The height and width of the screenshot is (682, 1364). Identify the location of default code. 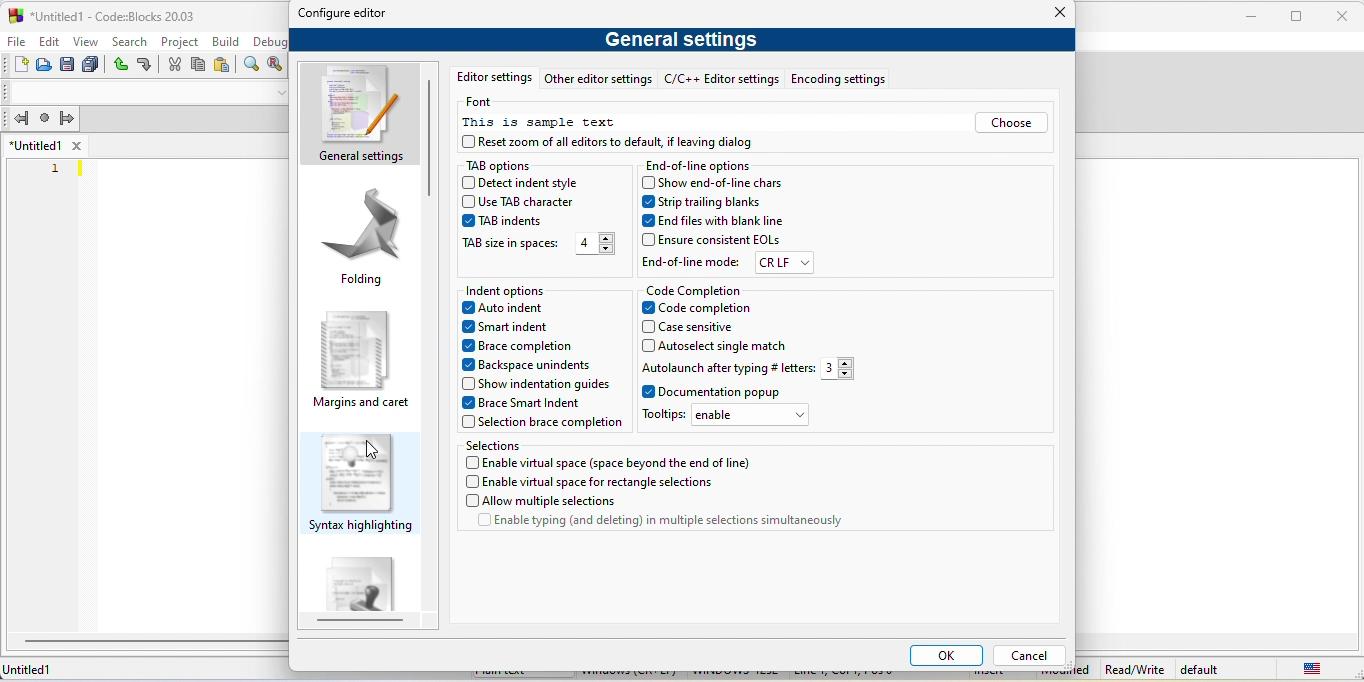
(360, 577).